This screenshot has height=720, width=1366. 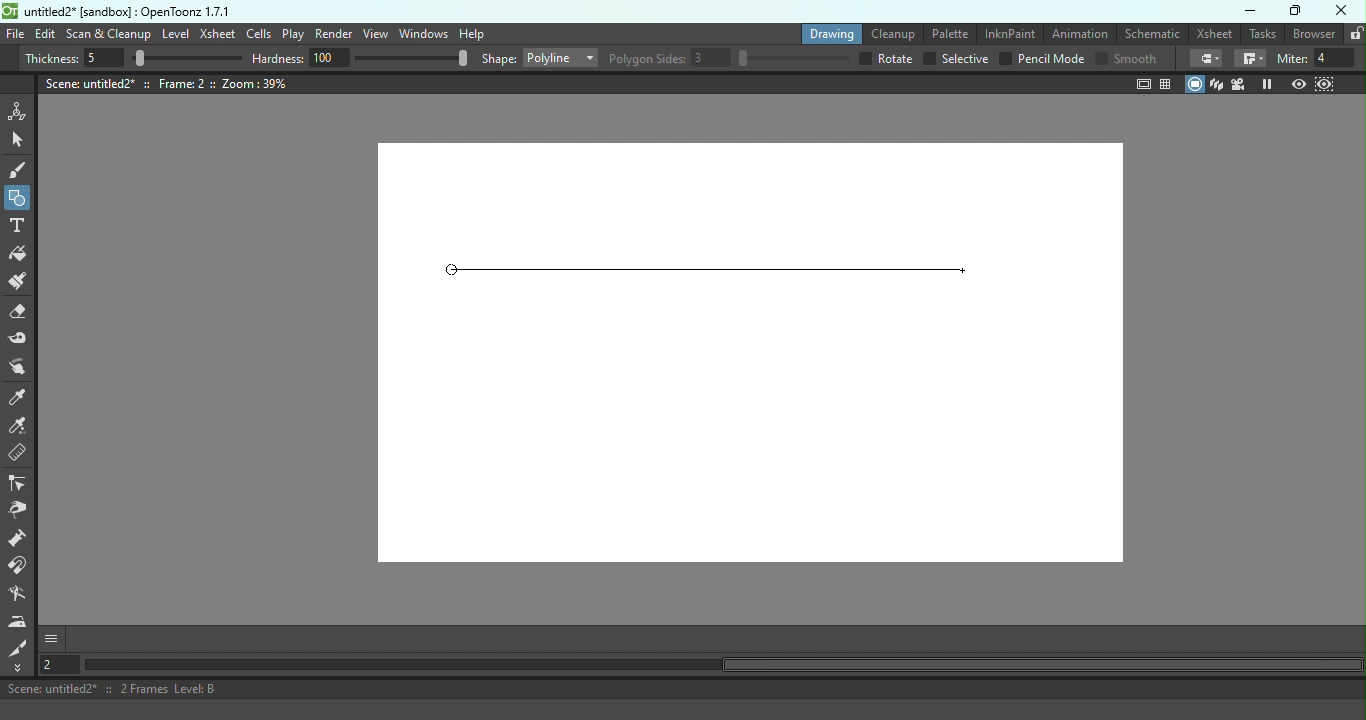 I want to click on Cells, so click(x=258, y=33).